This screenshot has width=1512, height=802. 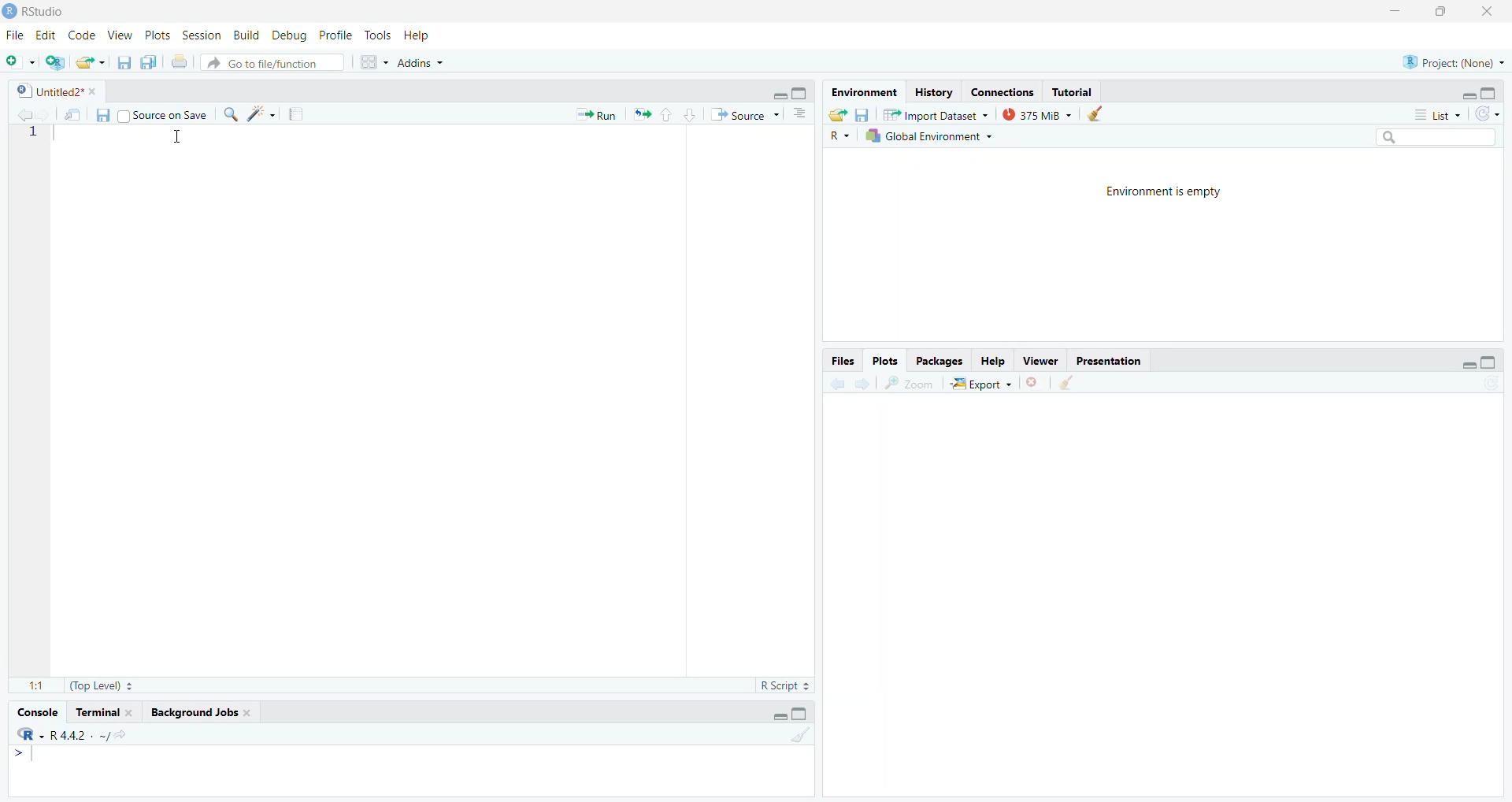 I want to click on  Help, so click(x=417, y=35).